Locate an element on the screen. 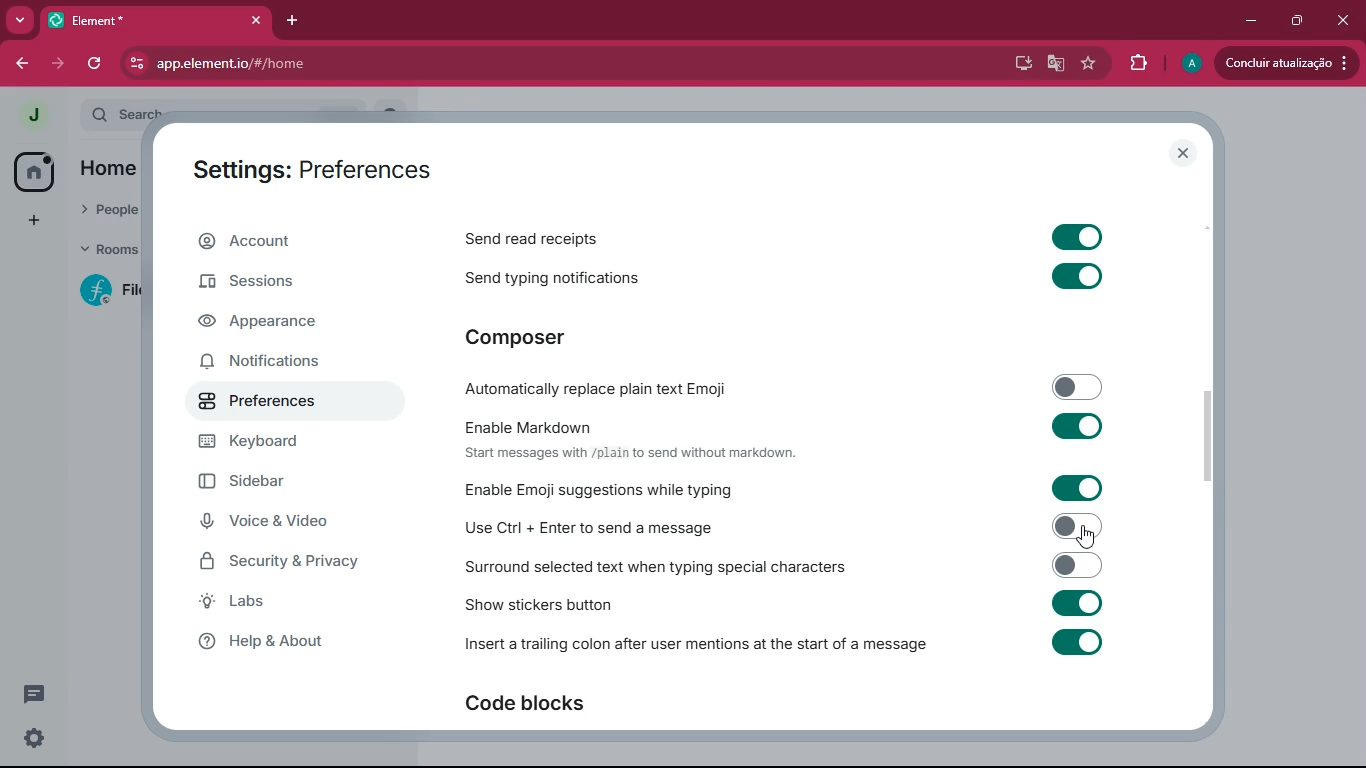  toggle on or off is located at coordinates (1073, 385).